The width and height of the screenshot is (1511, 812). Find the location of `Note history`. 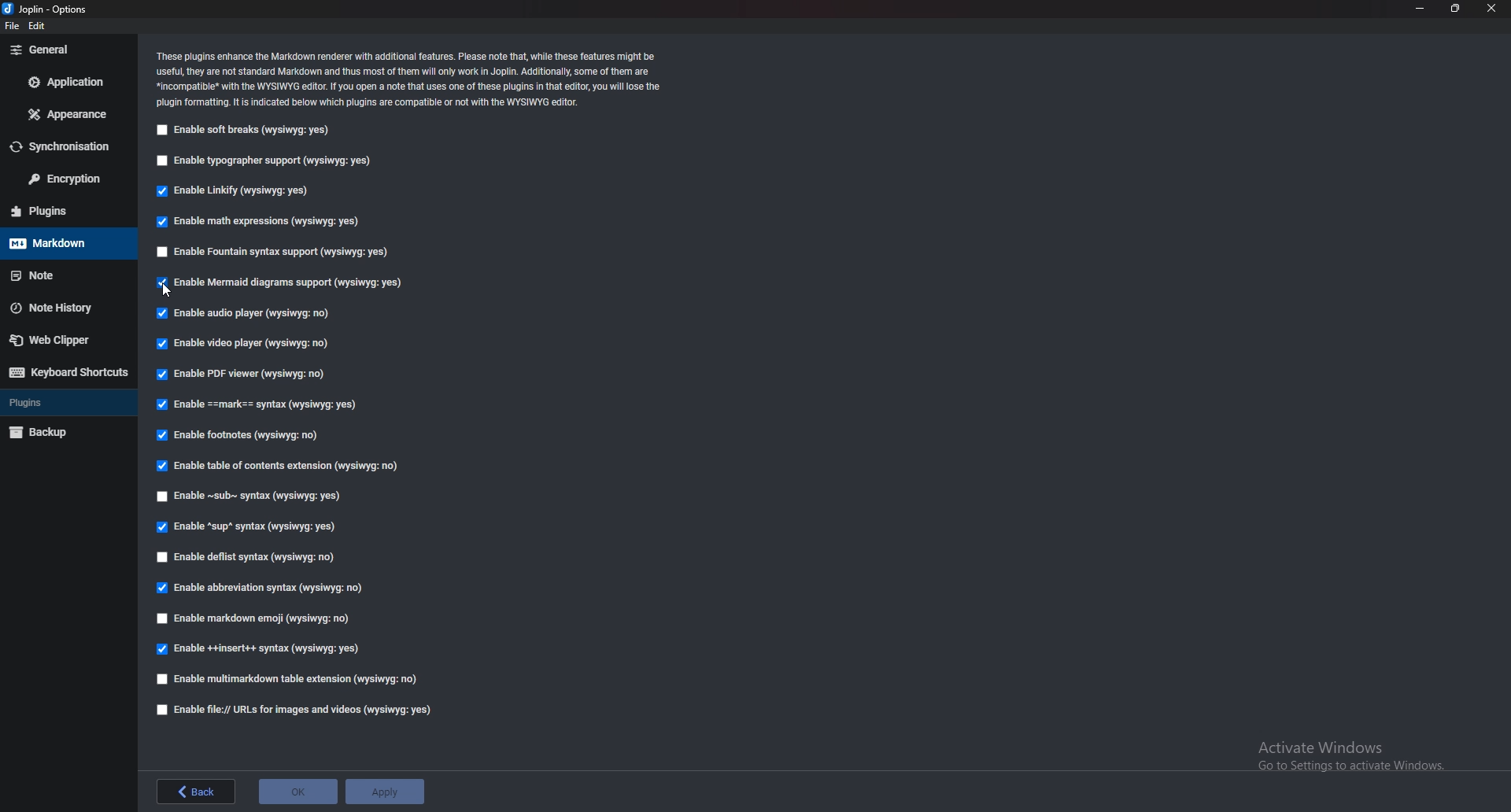

Note history is located at coordinates (67, 308).